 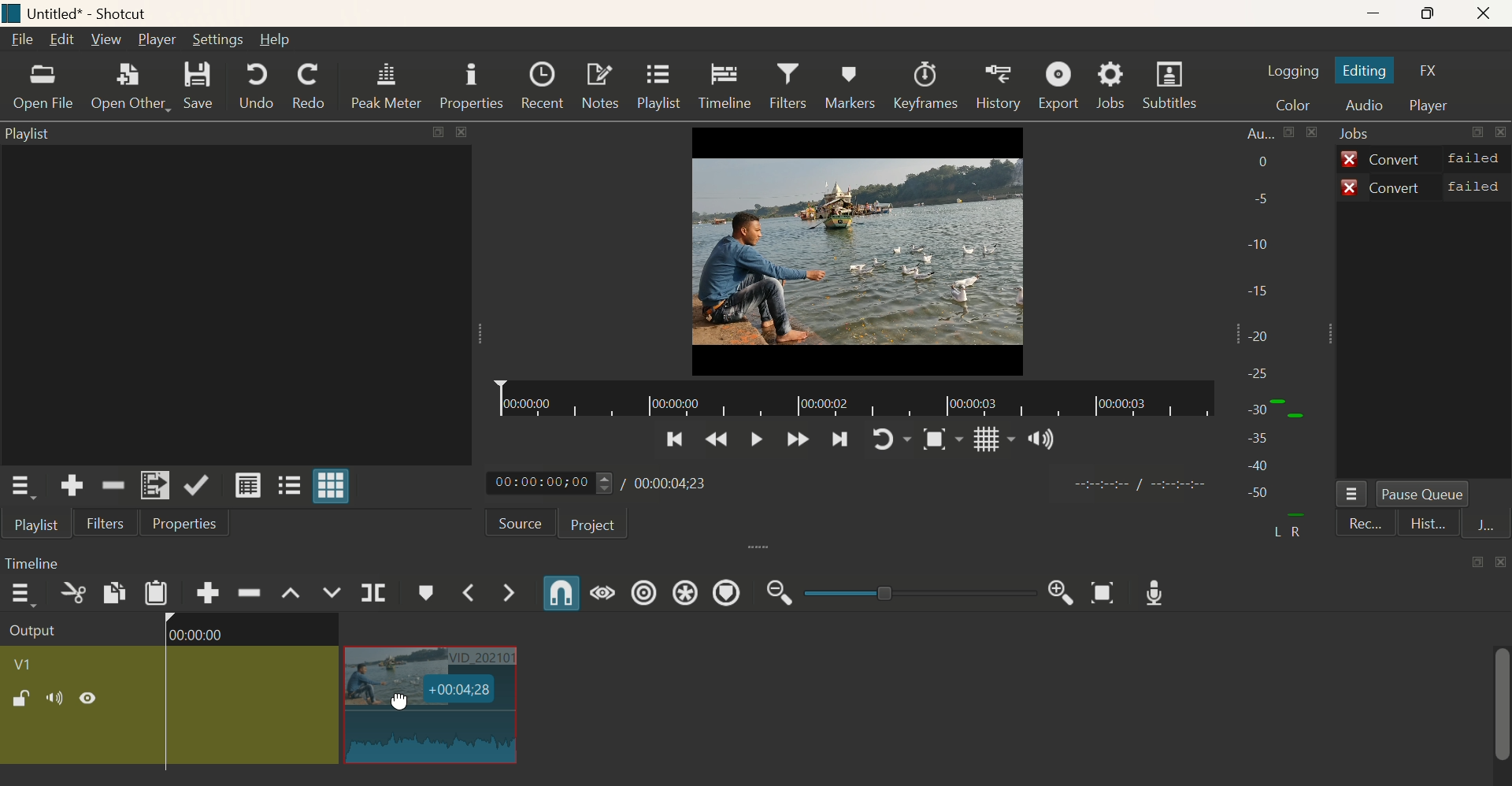 I want to click on Timeline, so click(x=724, y=86).